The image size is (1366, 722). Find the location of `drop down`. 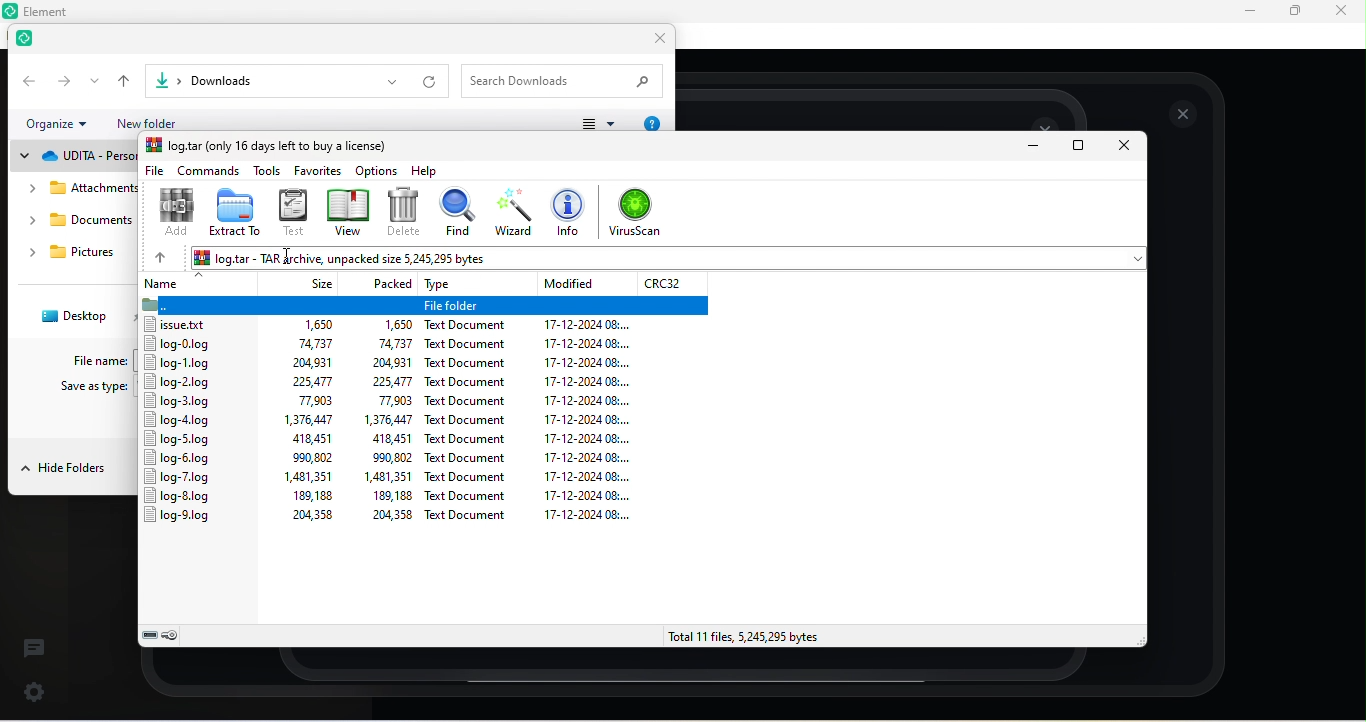

drop down is located at coordinates (391, 82).